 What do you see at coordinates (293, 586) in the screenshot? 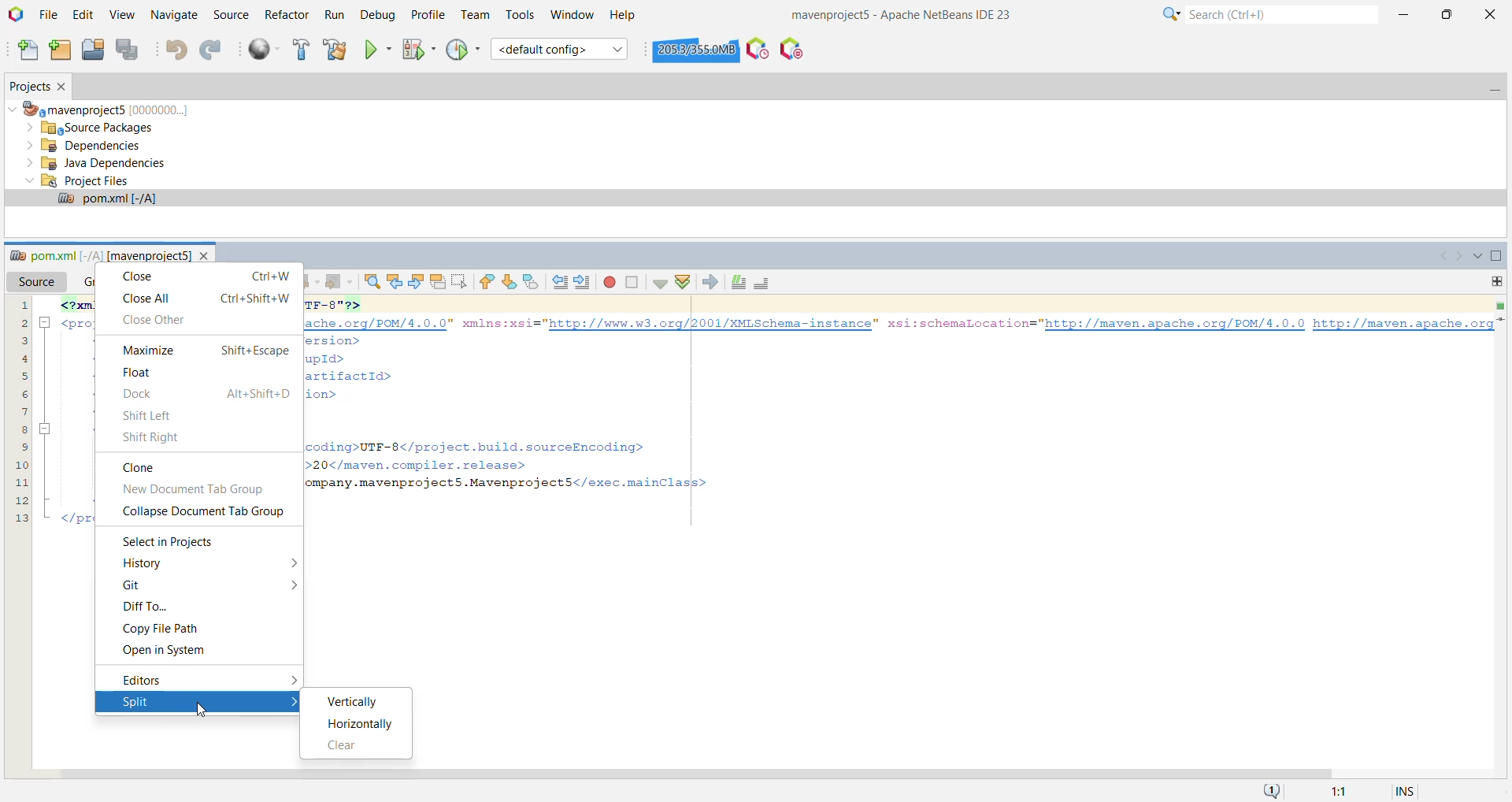
I see `More options` at bounding box center [293, 586].